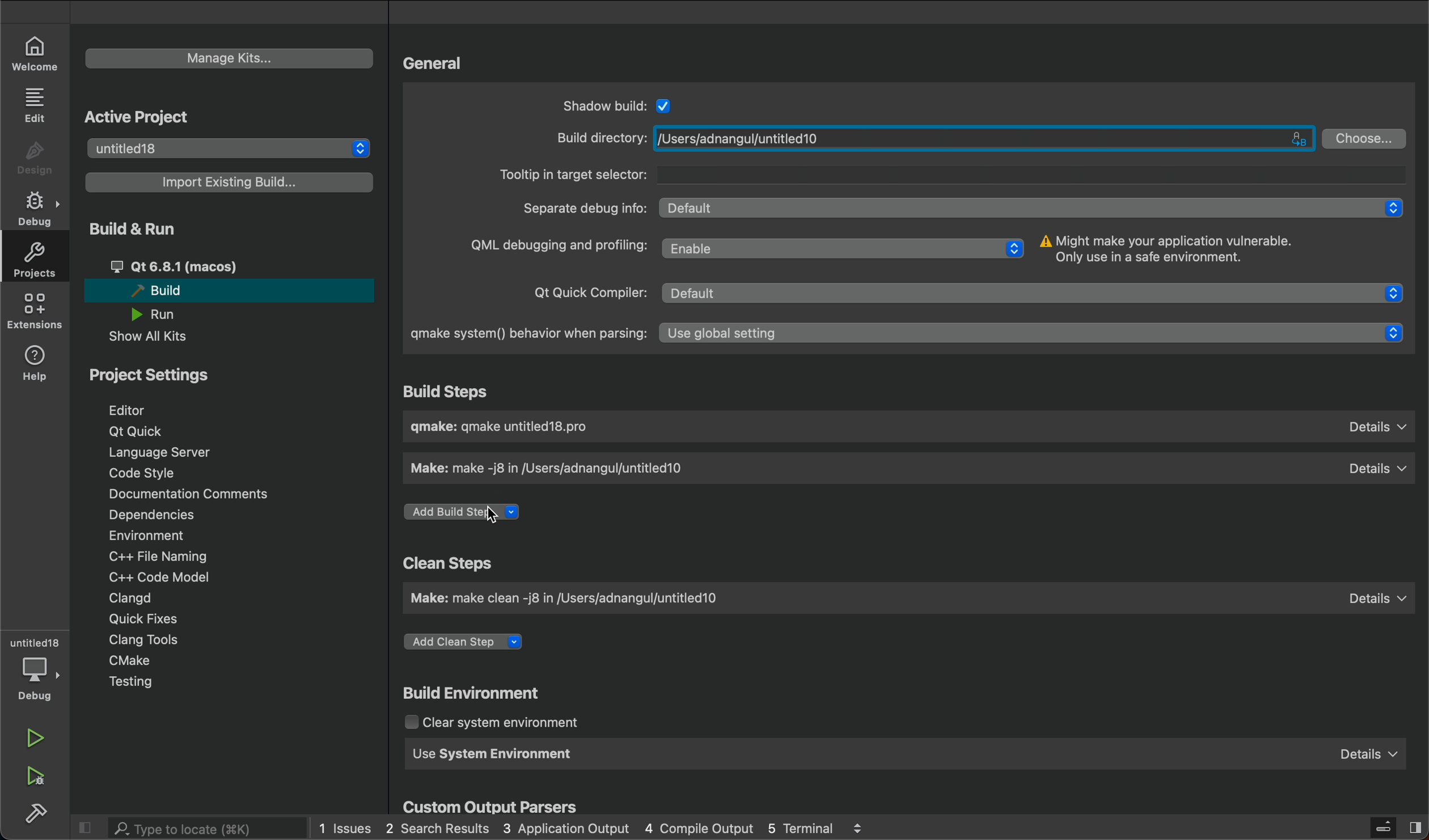 The width and height of the screenshot is (1429, 840). What do you see at coordinates (1176, 250) in the screenshot?
I see `Might make your application vulnerable.
Only use in a safe environment.` at bounding box center [1176, 250].